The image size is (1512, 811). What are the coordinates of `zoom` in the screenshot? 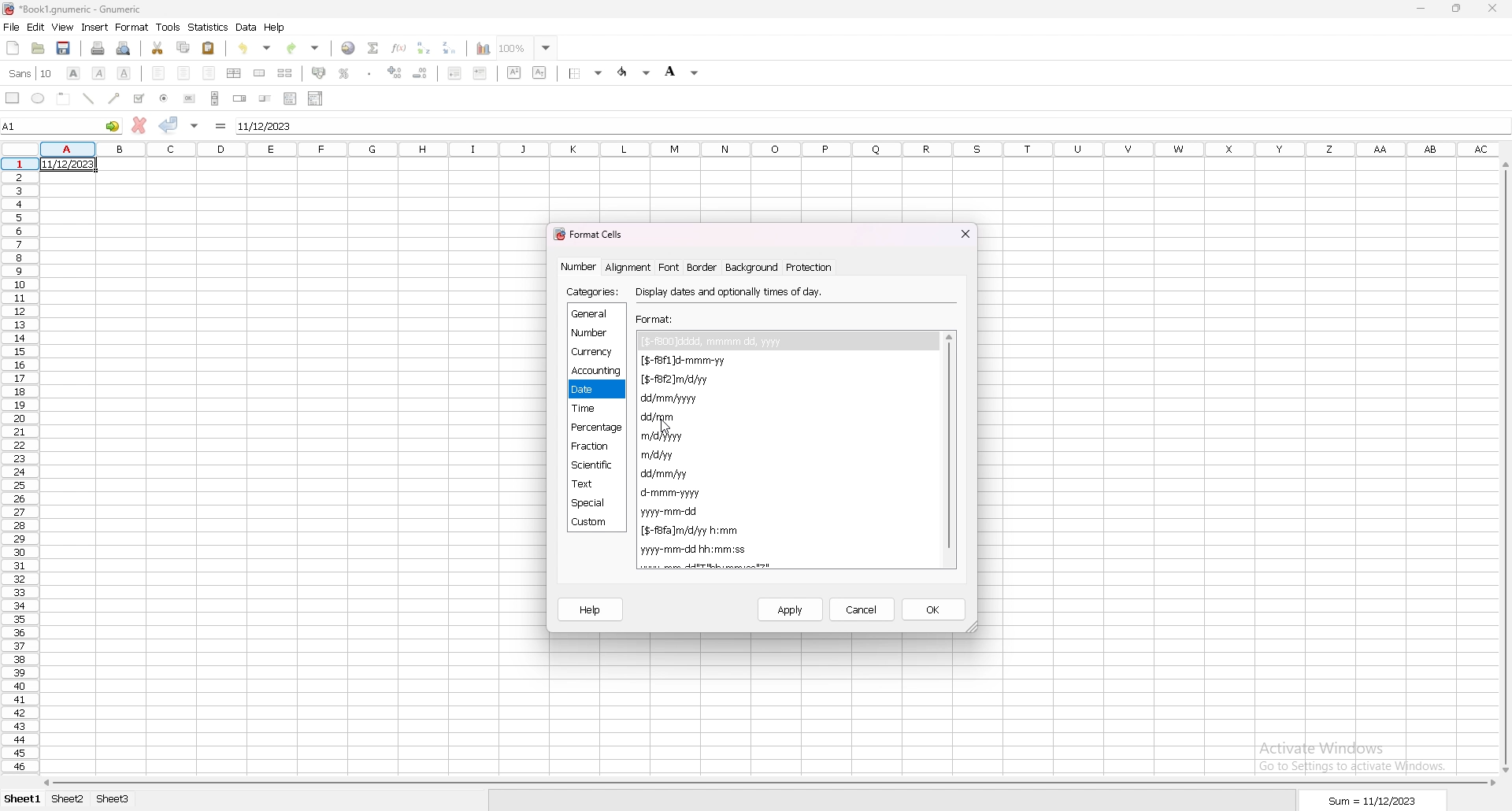 It's located at (528, 47).